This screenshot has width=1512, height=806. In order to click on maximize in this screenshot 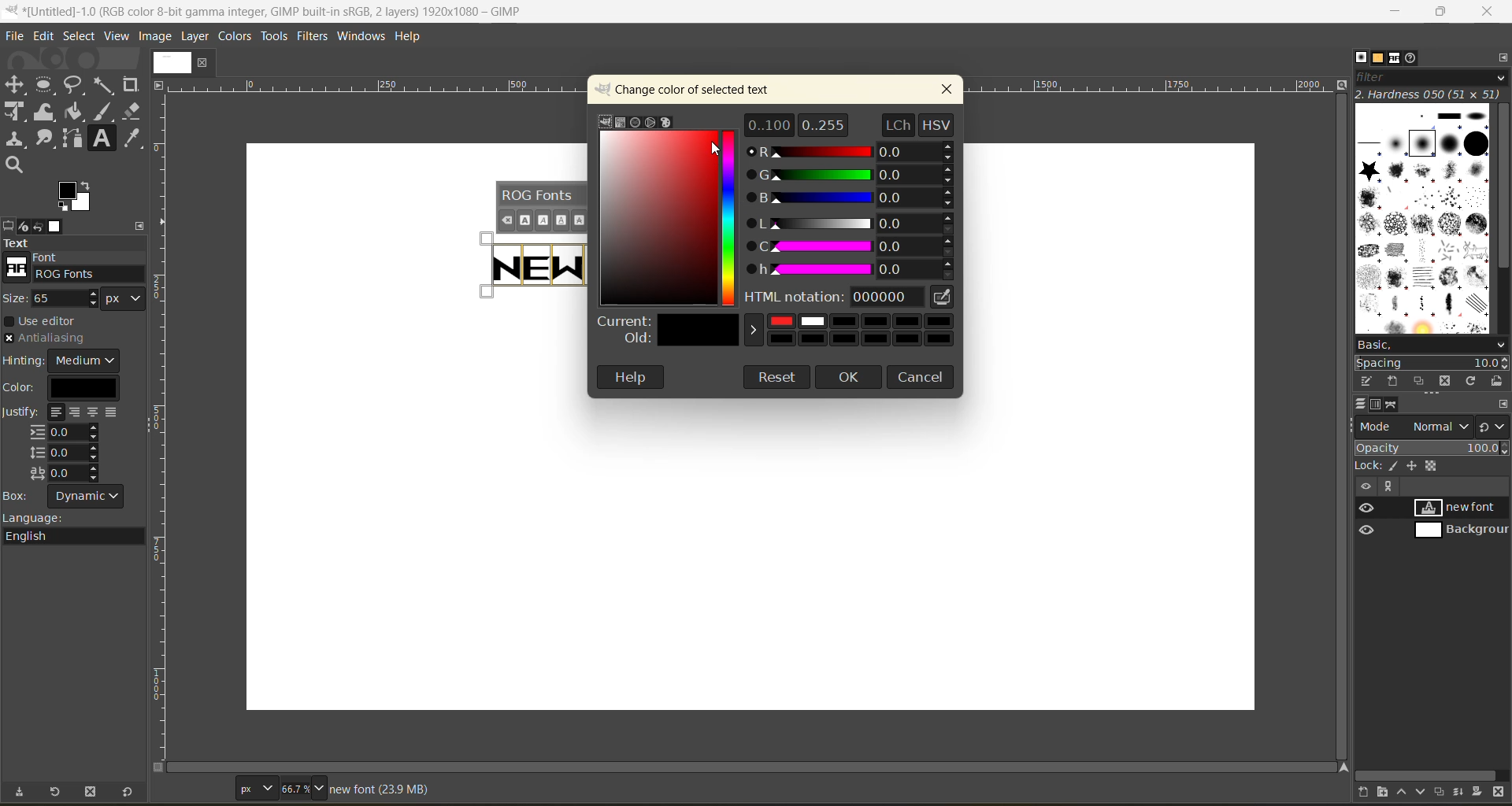, I will do `click(1446, 12)`.